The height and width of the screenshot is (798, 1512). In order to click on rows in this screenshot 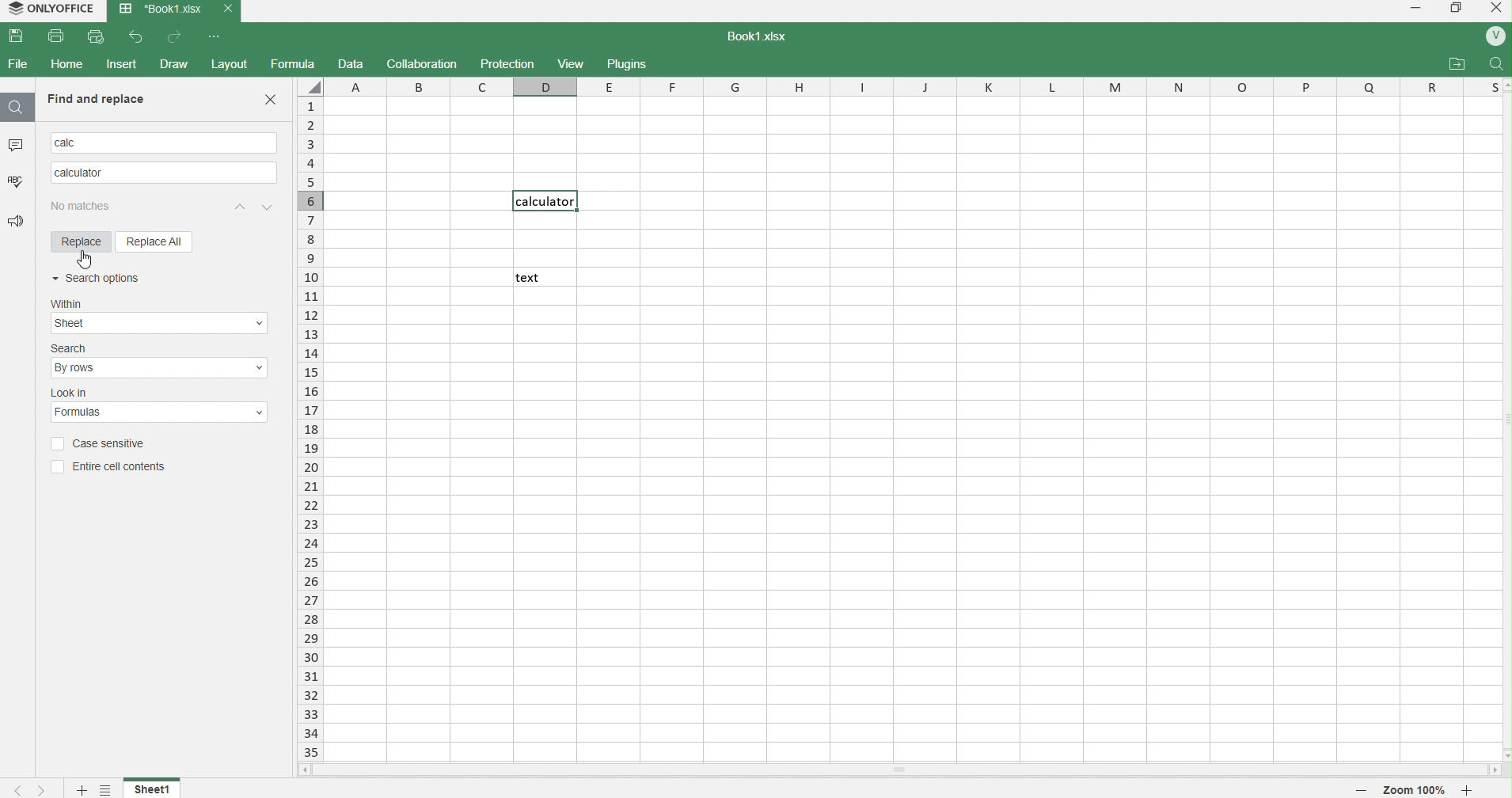, I will do `click(314, 427)`.